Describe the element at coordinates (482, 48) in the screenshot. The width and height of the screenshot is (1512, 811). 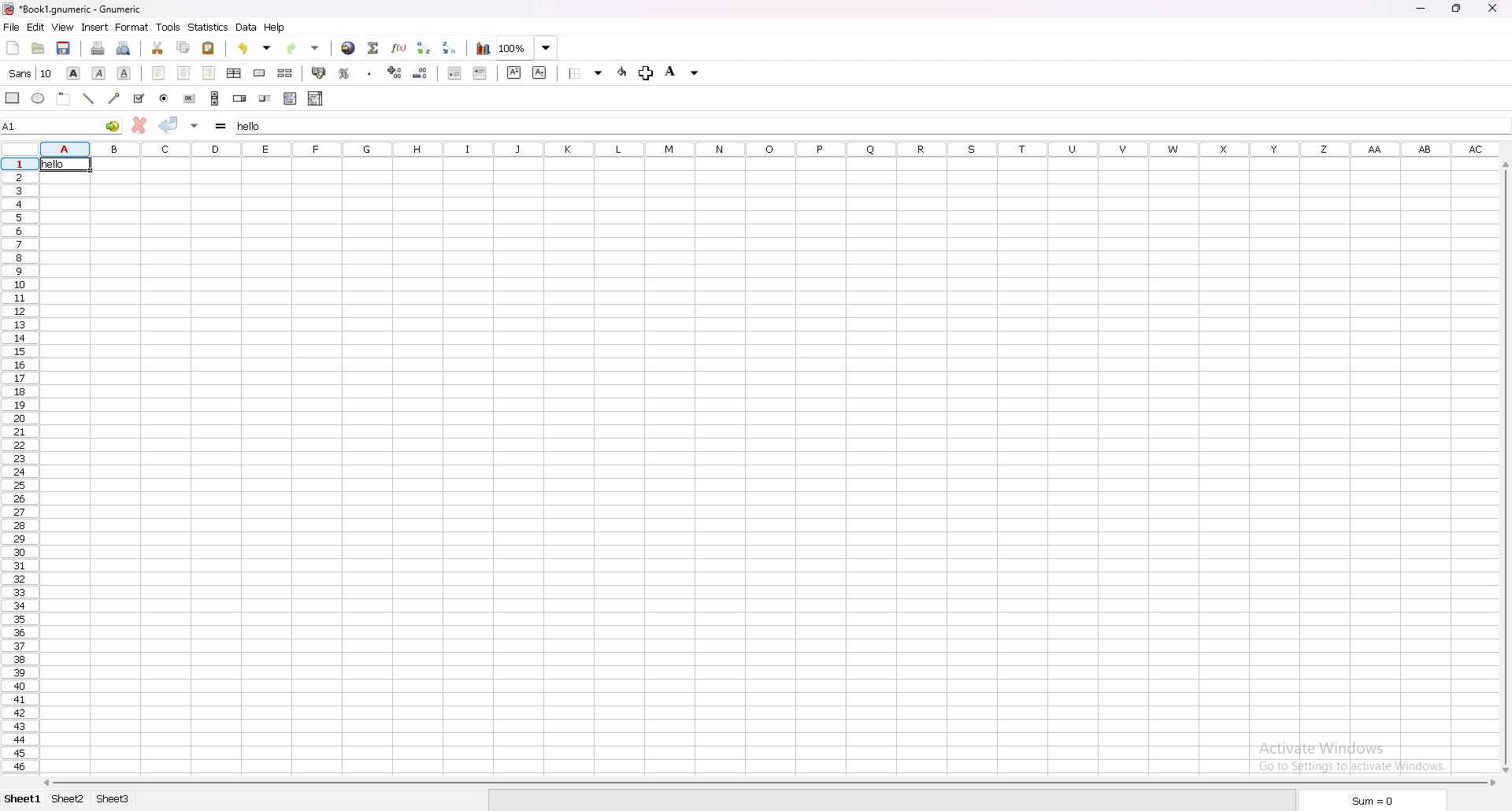
I see `chart` at that location.